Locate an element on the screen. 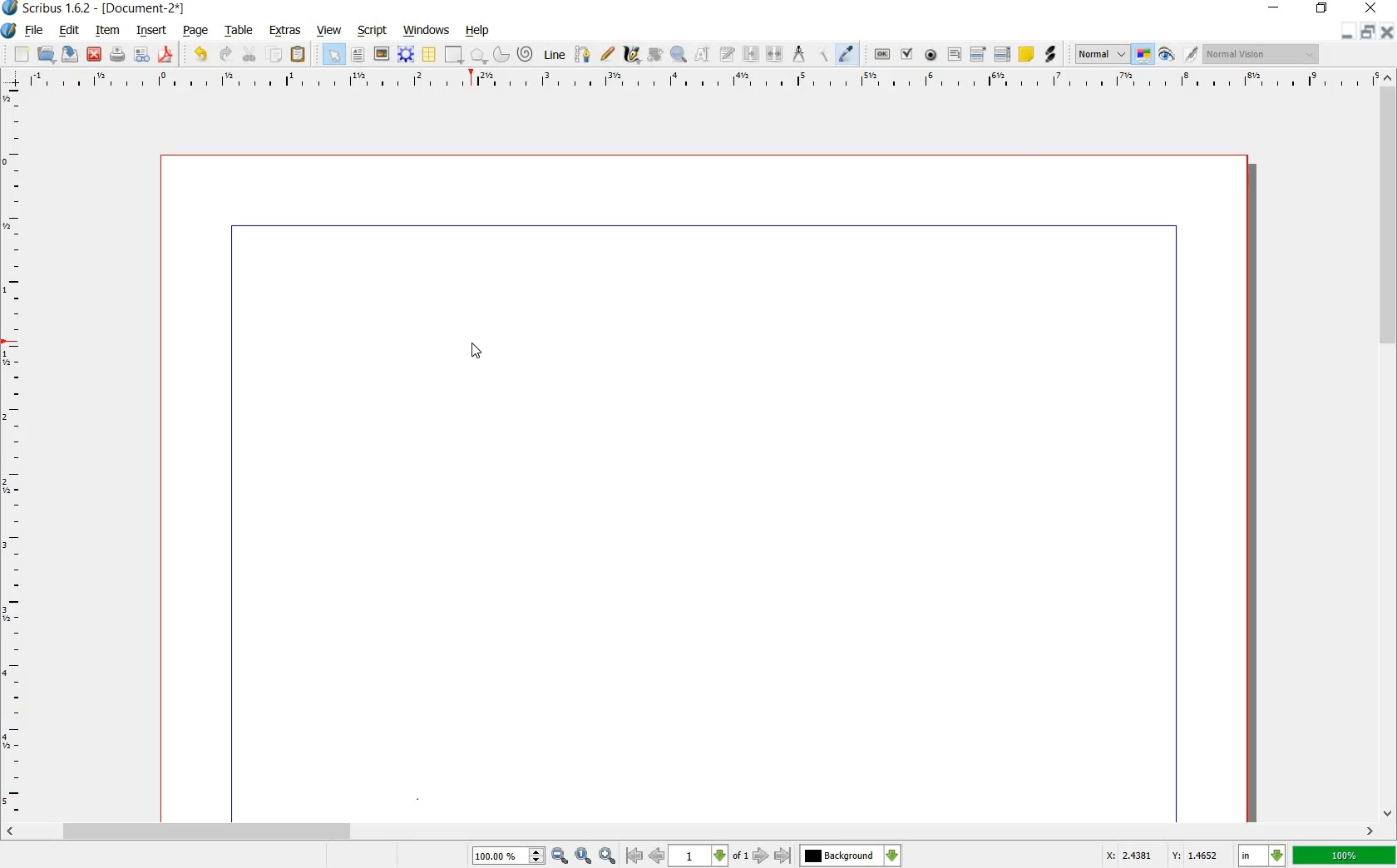 This screenshot has width=1397, height=868. PDF COMBO BOX is located at coordinates (977, 53).